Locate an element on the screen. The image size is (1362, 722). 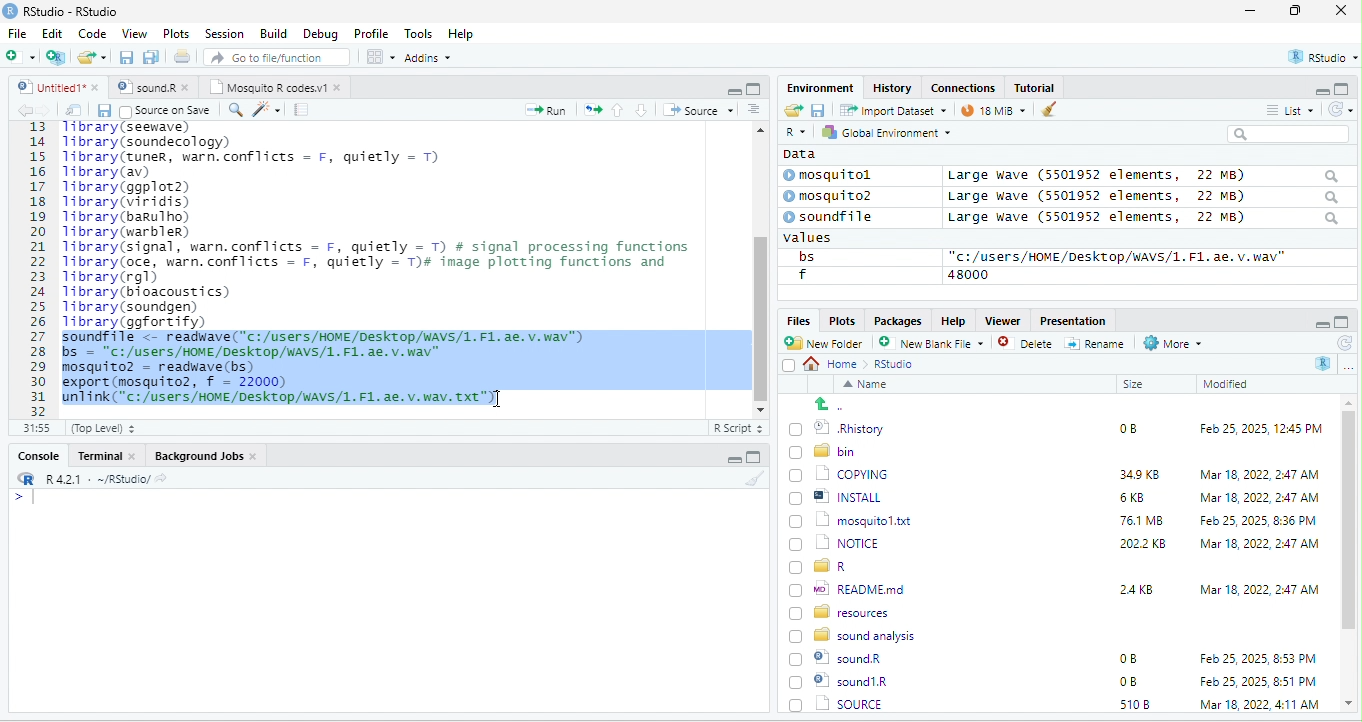
Large wave (550139372 elements, JZ MB) is located at coordinates (1145, 196).